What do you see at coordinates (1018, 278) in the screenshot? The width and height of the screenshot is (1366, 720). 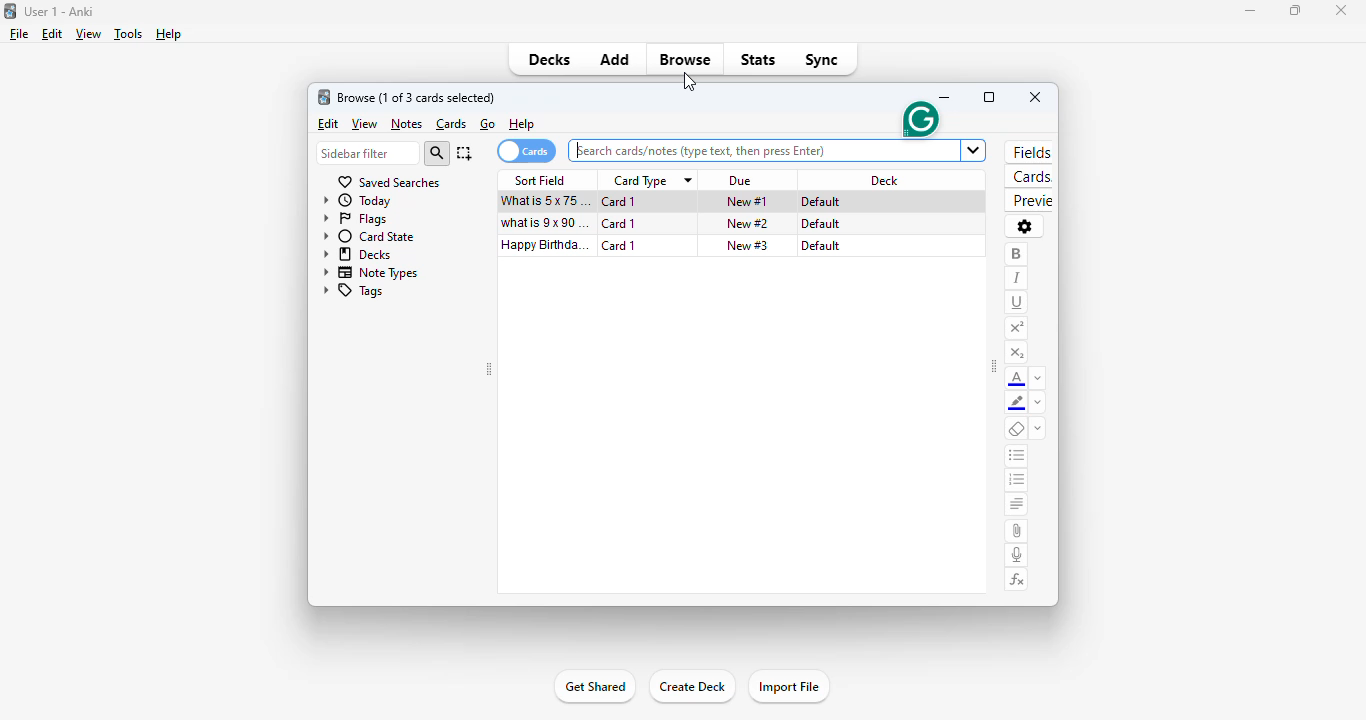 I see `italic` at bounding box center [1018, 278].